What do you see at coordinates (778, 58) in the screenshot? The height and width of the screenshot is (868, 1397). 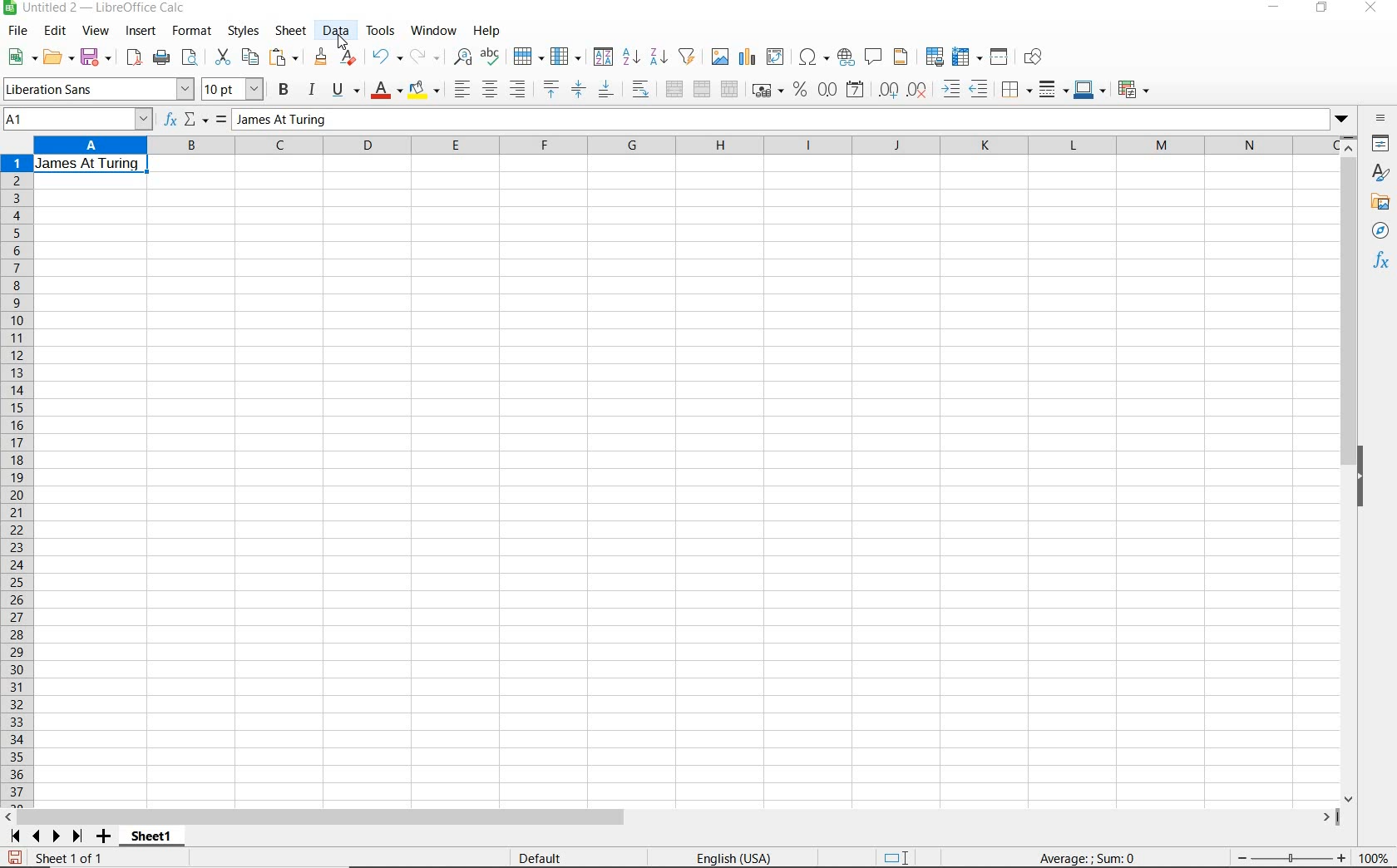 I see `insert or edit pivot table` at bounding box center [778, 58].